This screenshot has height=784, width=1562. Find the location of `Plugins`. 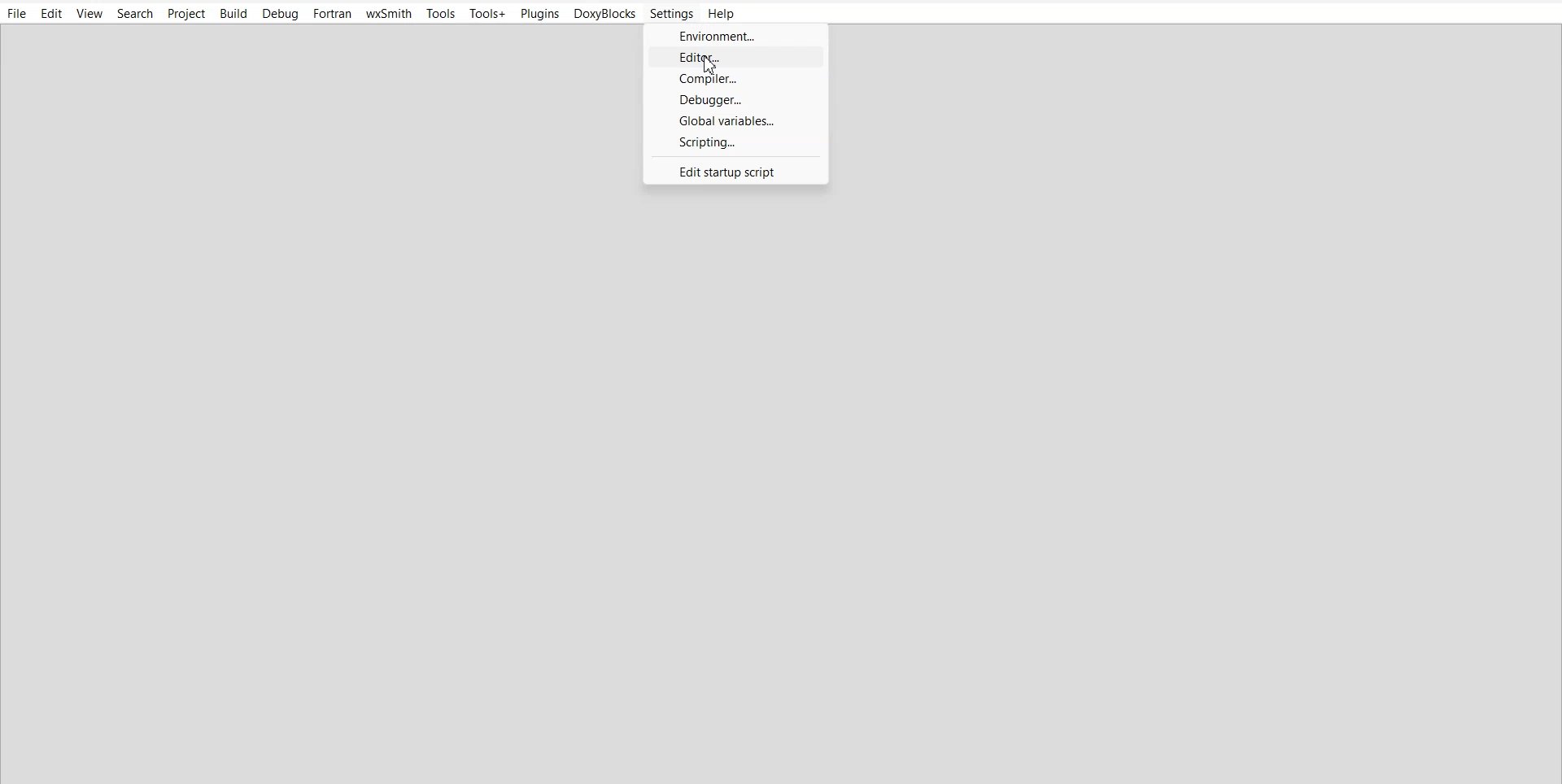

Plugins is located at coordinates (539, 13).